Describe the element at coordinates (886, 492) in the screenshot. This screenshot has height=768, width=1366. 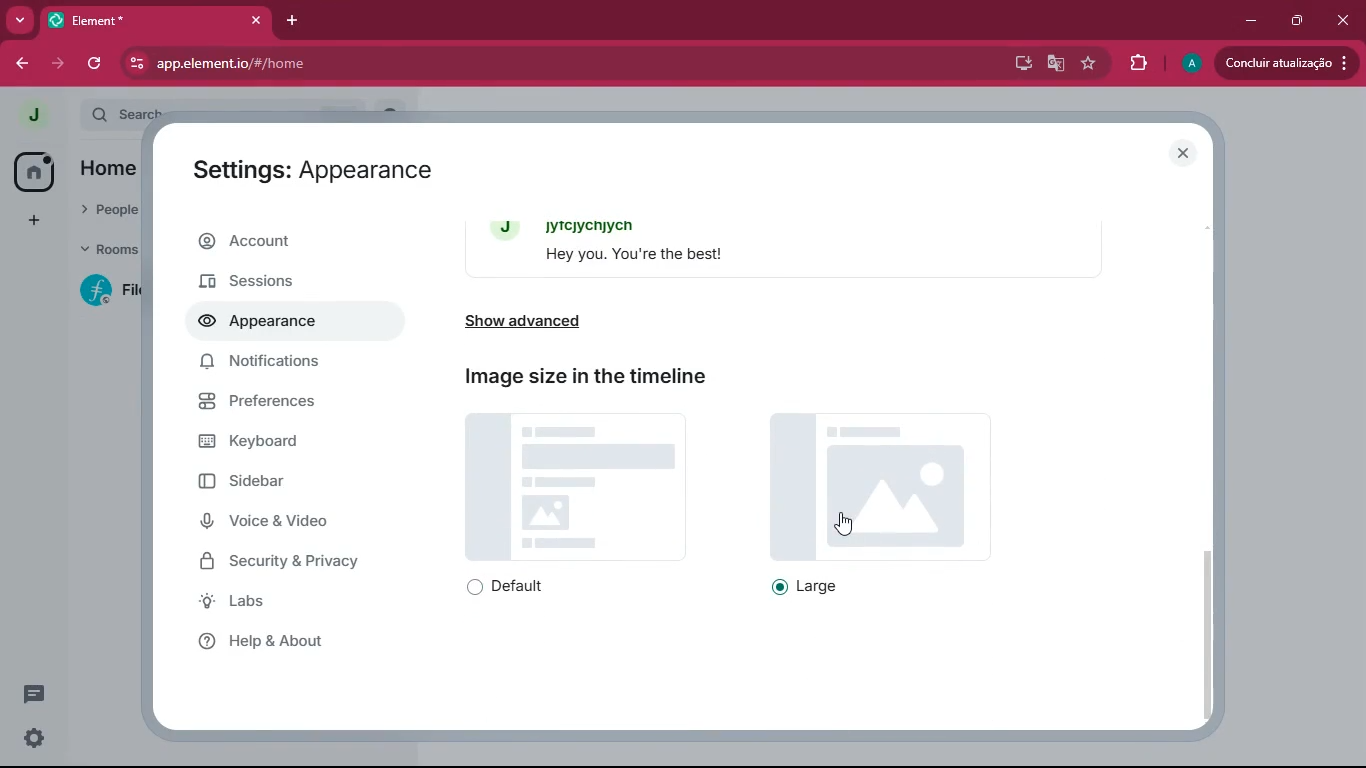
I see `image` at that location.